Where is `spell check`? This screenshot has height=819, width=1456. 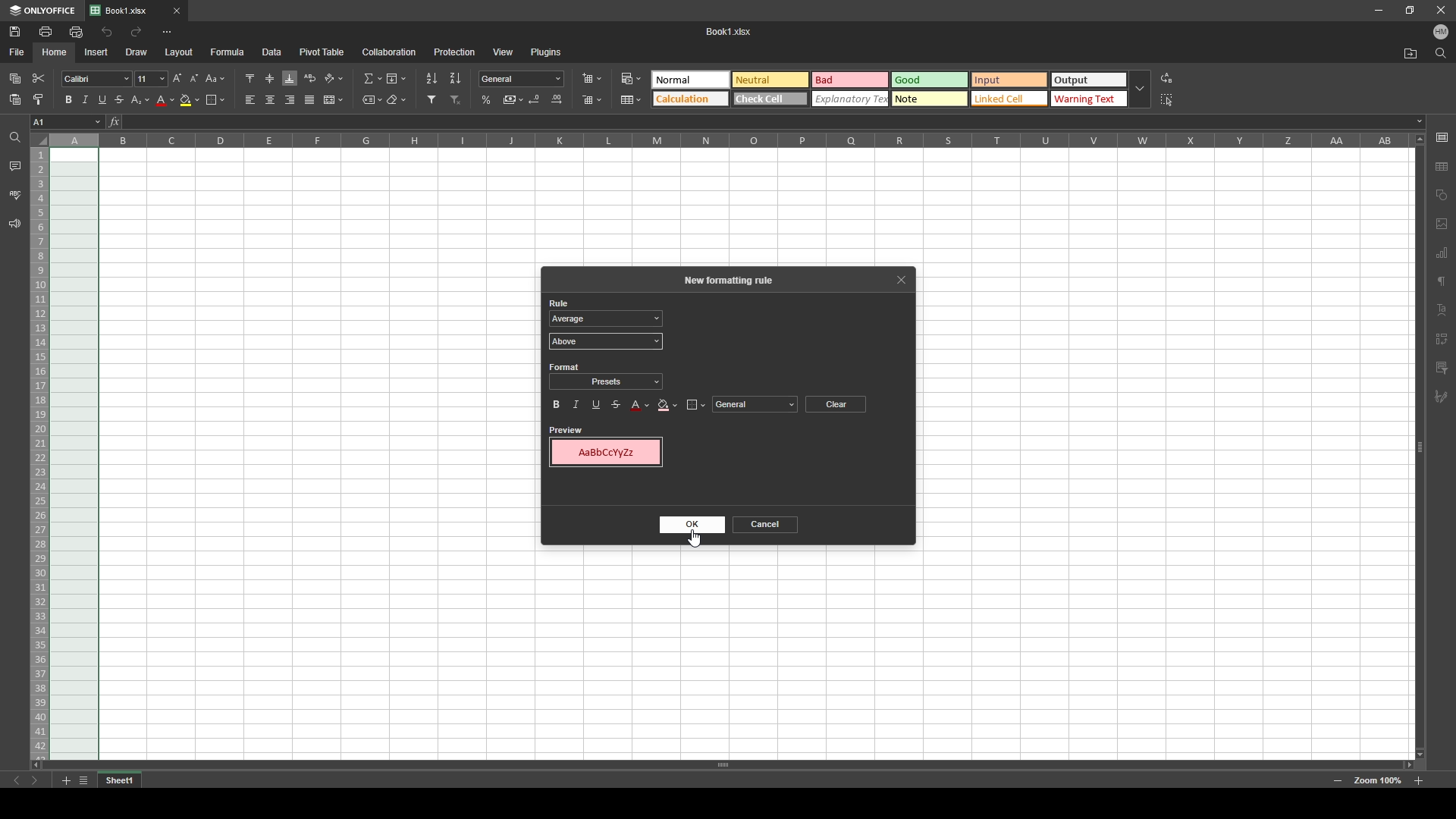
spell check is located at coordinates (16, 195).